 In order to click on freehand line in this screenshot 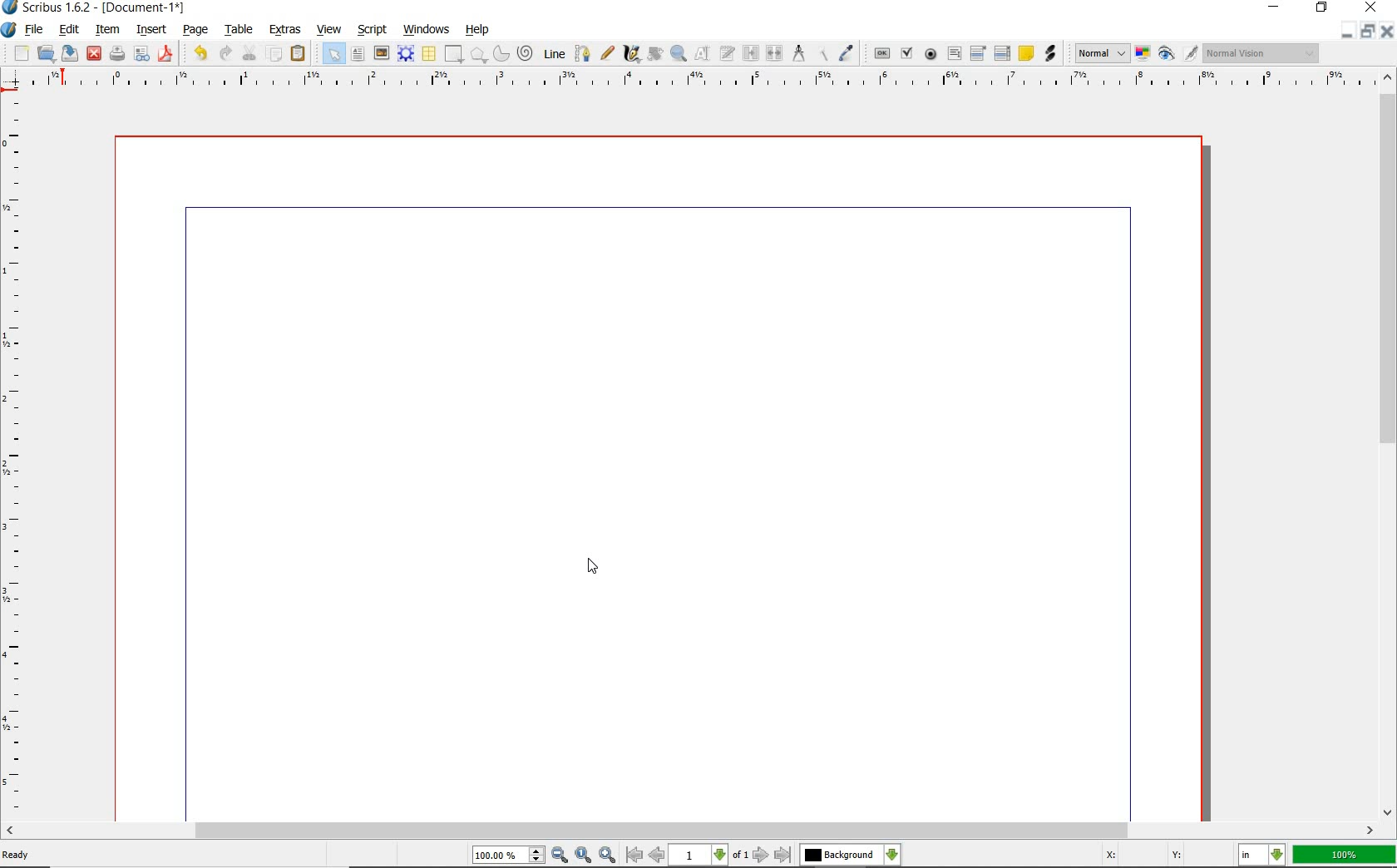, I will do `click(605, 52)`.